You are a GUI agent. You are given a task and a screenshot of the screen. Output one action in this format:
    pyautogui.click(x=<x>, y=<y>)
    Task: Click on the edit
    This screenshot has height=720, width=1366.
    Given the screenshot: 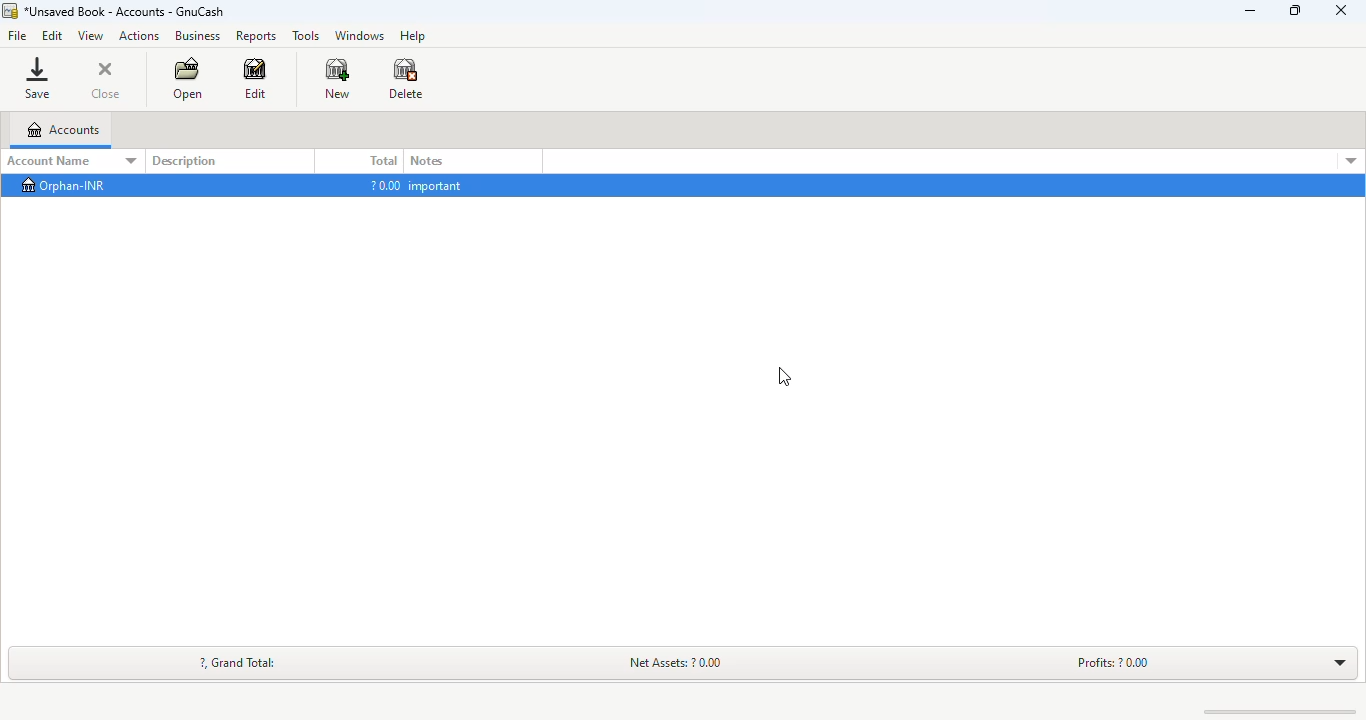 What is the action you would take?
    pyautogui.click(x=254, y=79)
    